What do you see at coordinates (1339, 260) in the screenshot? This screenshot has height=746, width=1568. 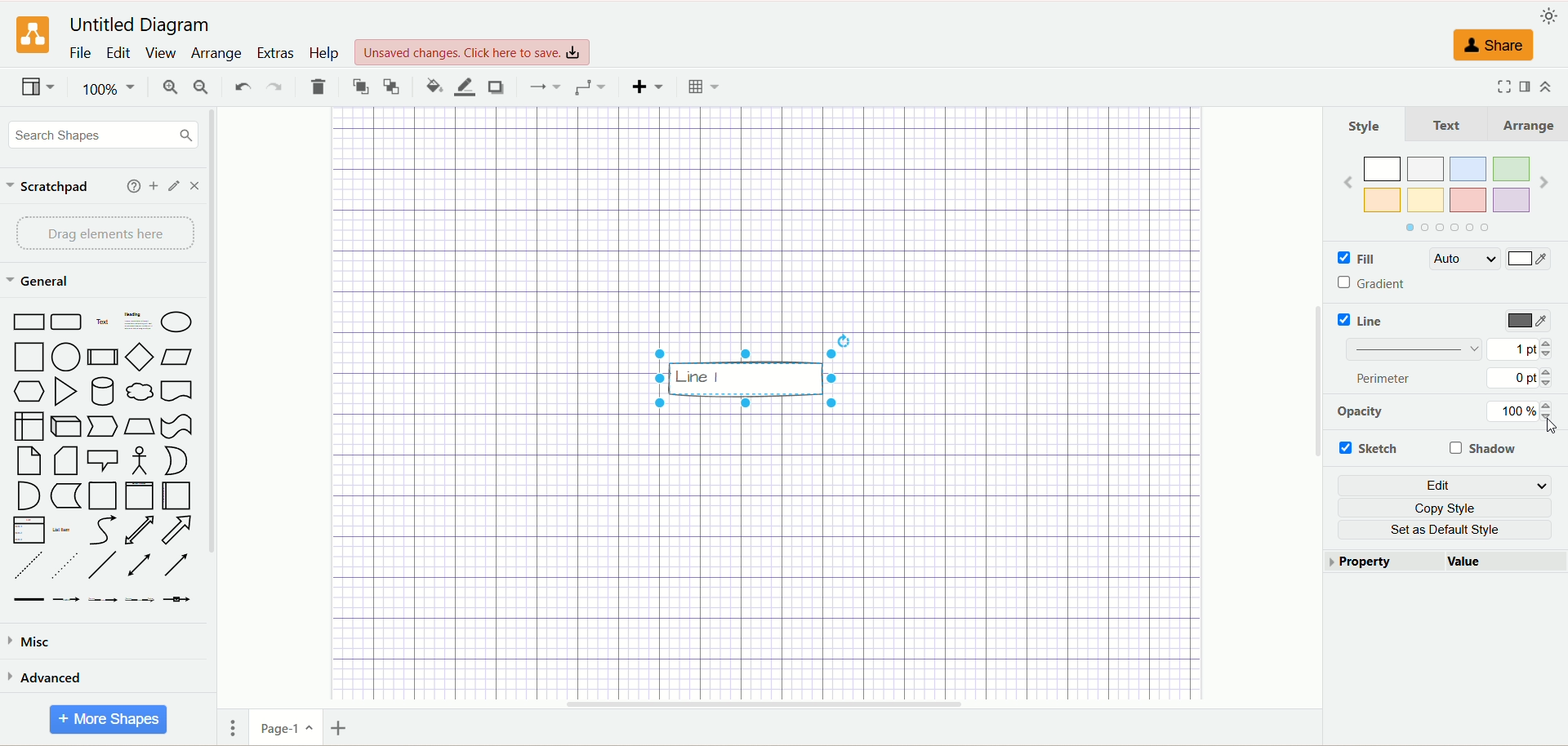 I see `Checkbox` at bounding box center [1339, 260].